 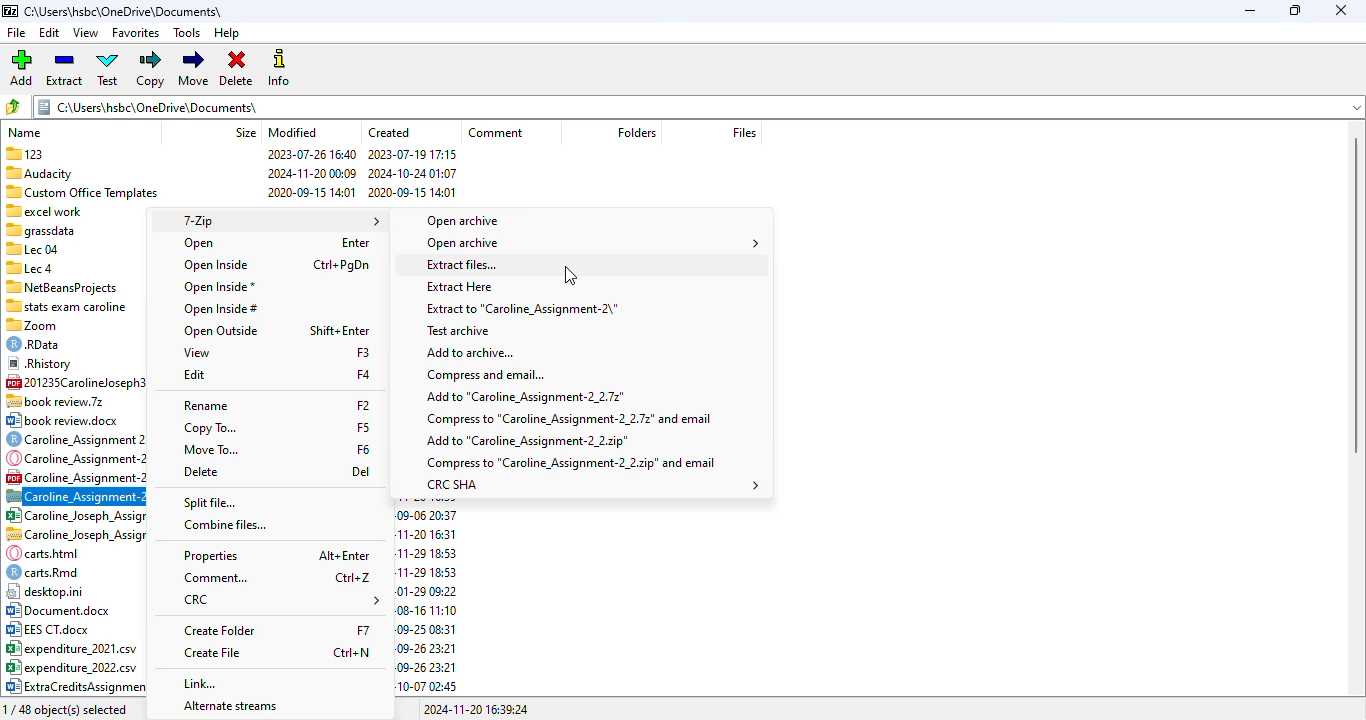 I want to click on carts.htm! 624921 2022-11-29 1853 2022-11-29 18:53, so click(x=74, y=553).